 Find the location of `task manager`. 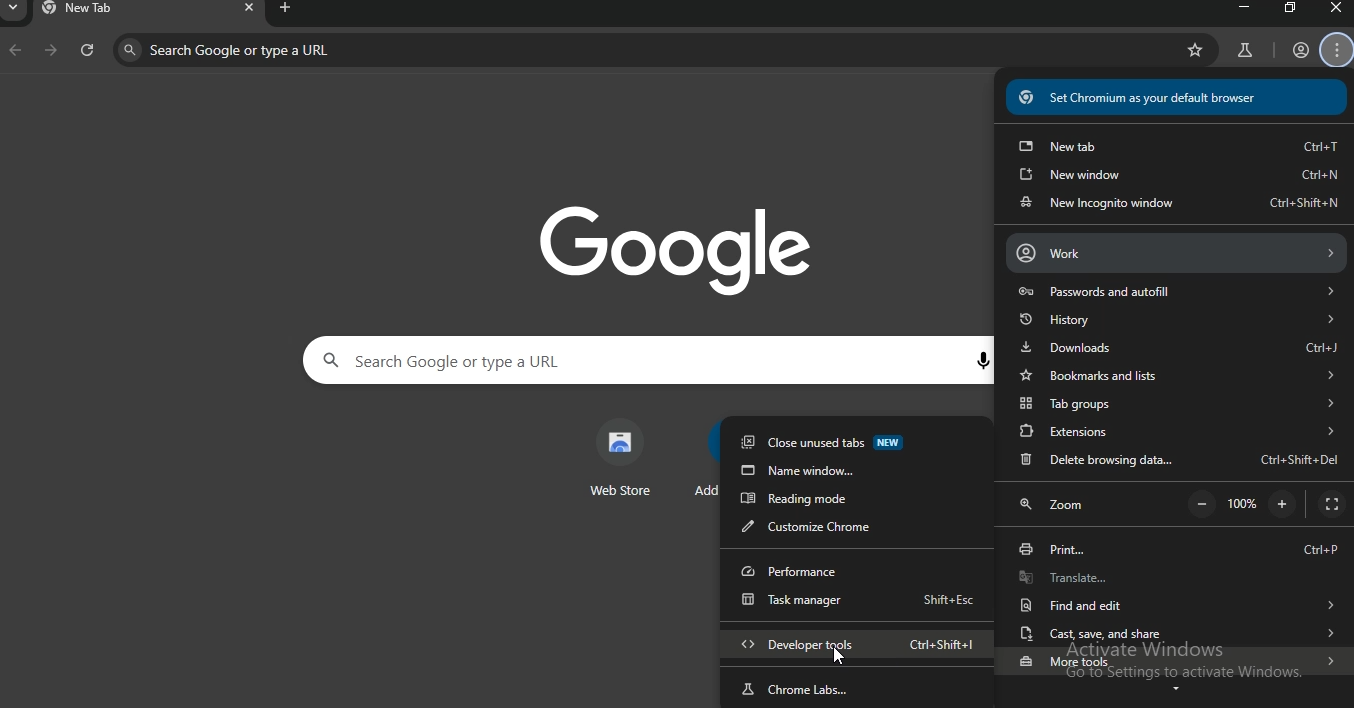

task manager is located at coordinates (855, 604).